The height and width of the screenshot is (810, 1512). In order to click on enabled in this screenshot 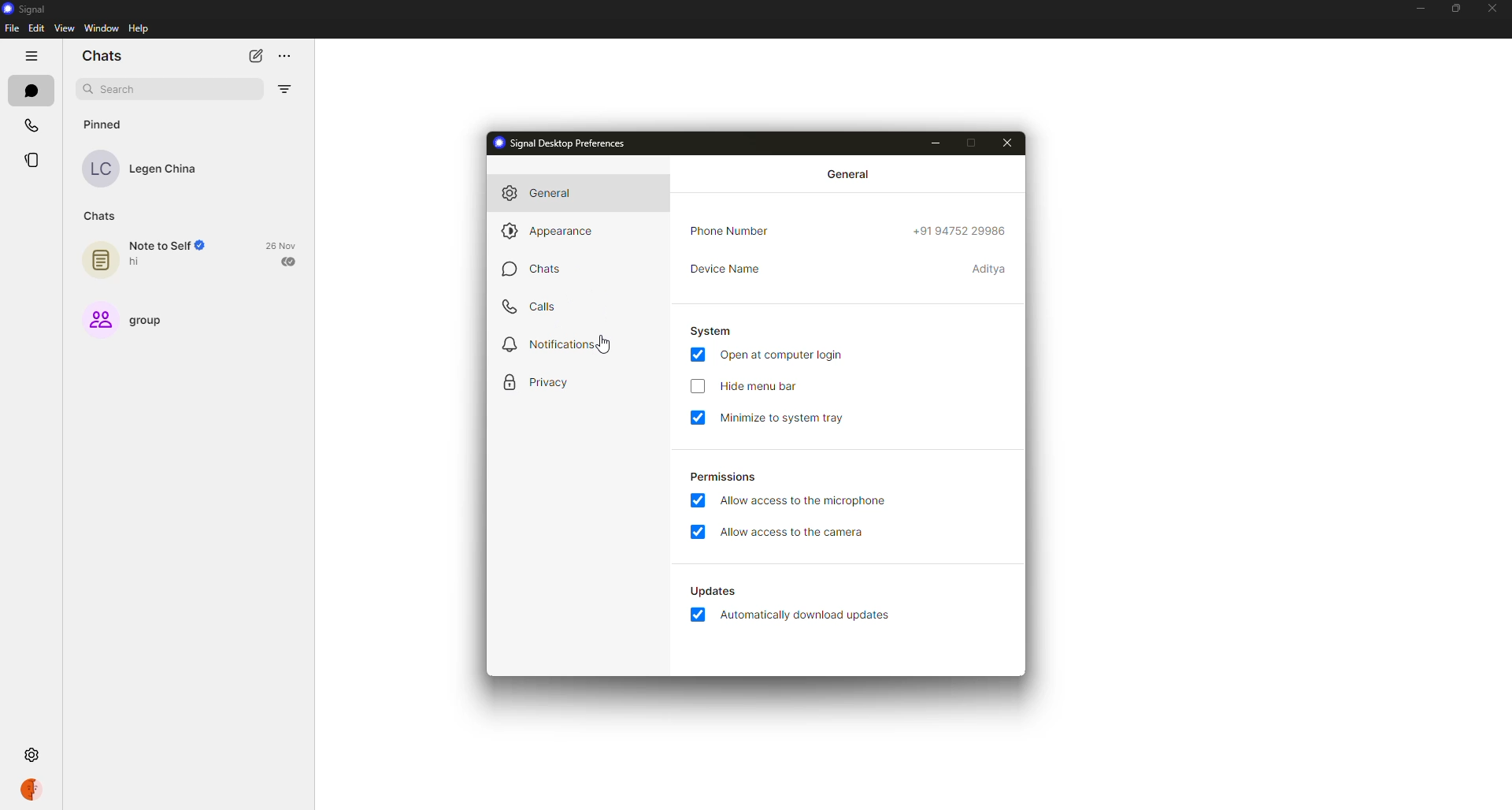, I will do `click(698, 615)`.